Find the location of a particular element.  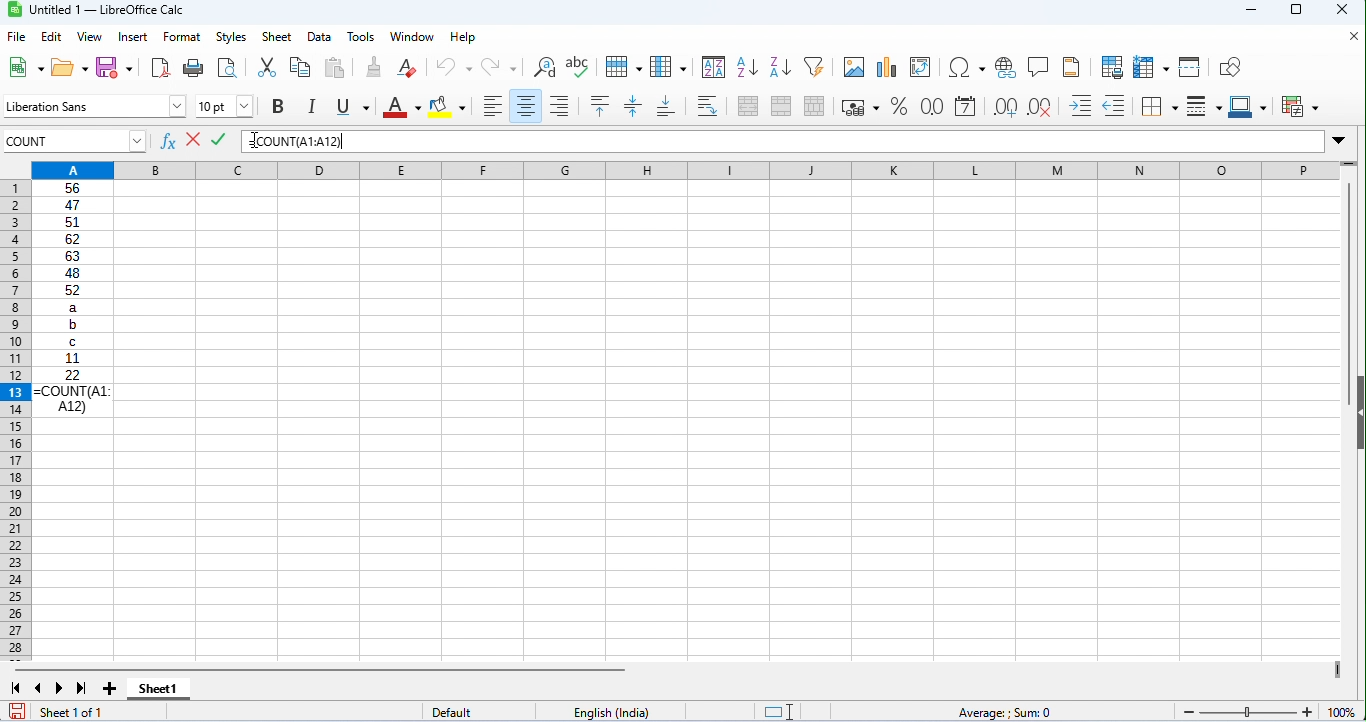

insert comment is located at coordinates (1037, 66).